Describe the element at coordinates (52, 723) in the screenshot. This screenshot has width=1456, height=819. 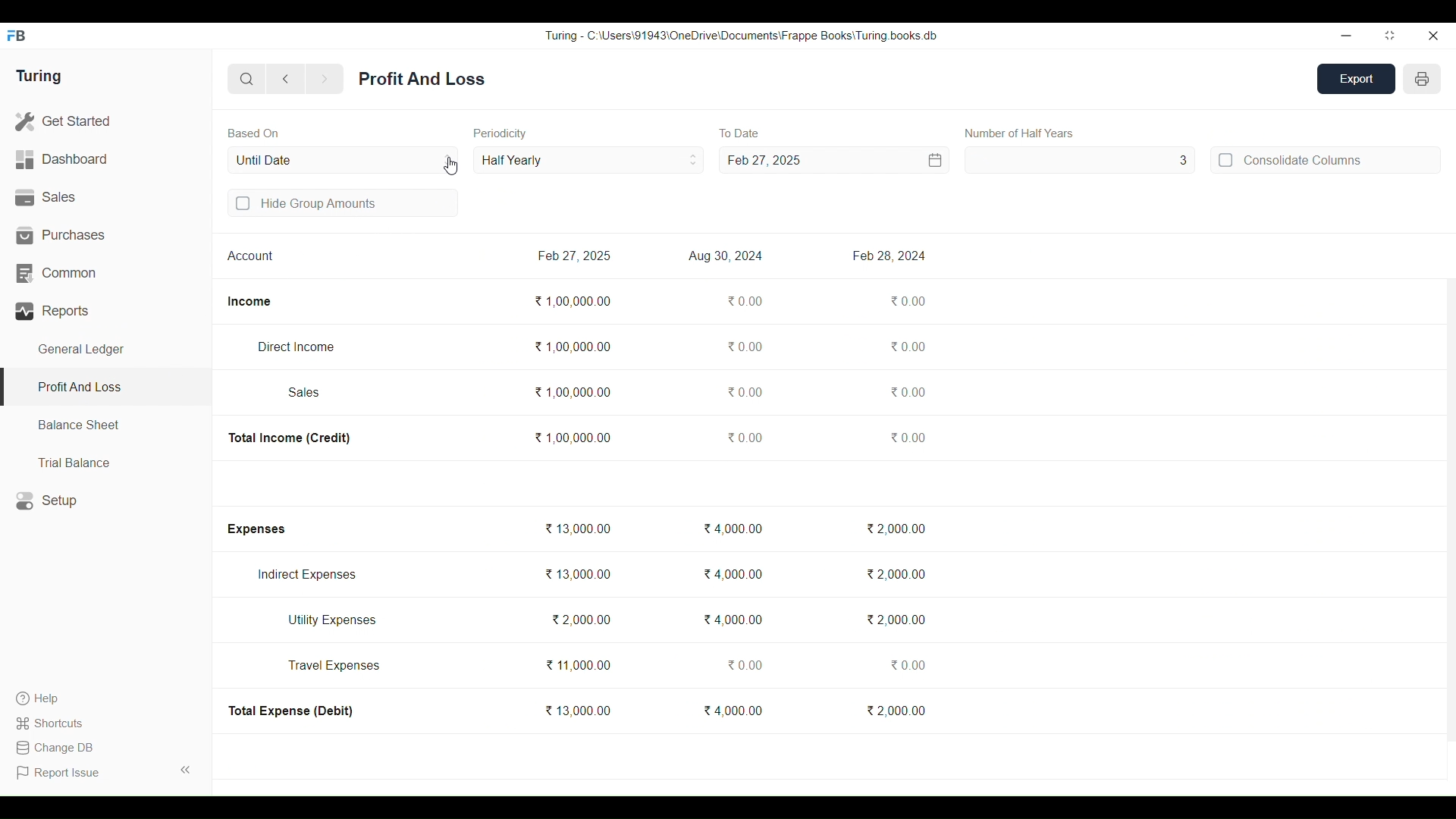
I see `Shortcuts` at that location.